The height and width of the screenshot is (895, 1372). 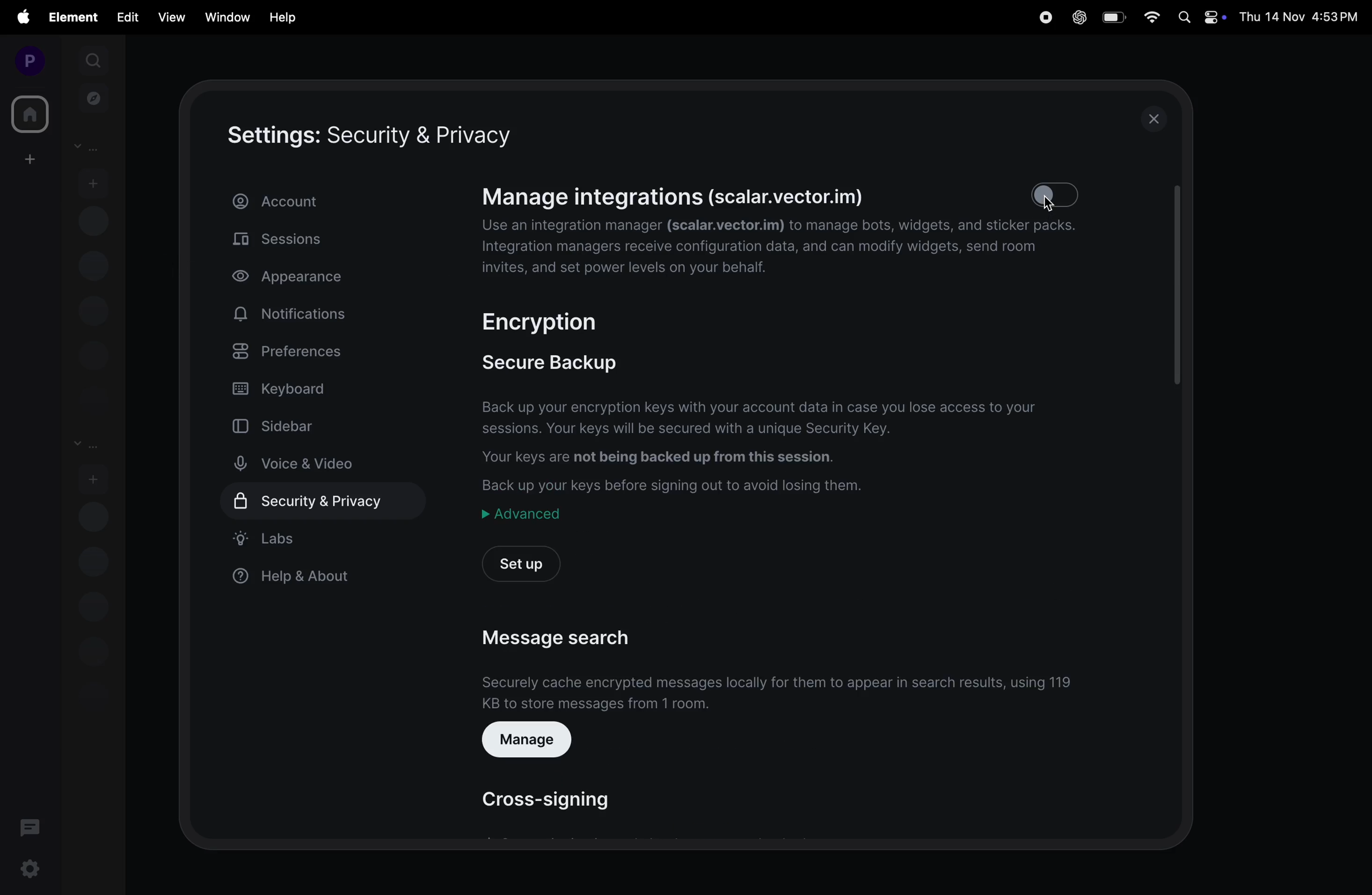 What do you see at coordinates (293, 577) in the screenshot?
I see `help & about` at bounding box center [293, 577].